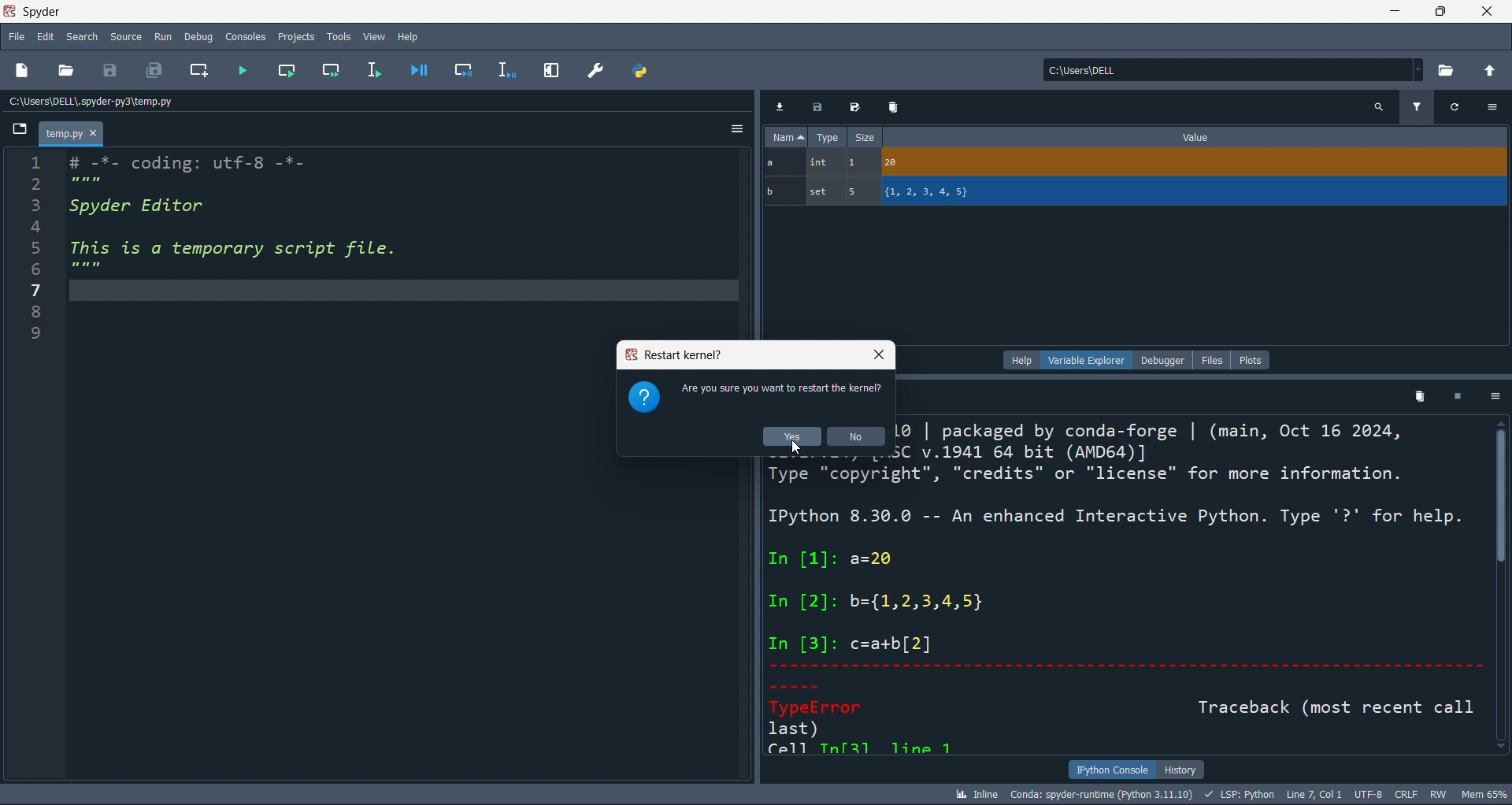 This screenshot has width=1512, height=805. Describe the element at coordinates (871, 355) in the screenshot. I see `close` at that location.